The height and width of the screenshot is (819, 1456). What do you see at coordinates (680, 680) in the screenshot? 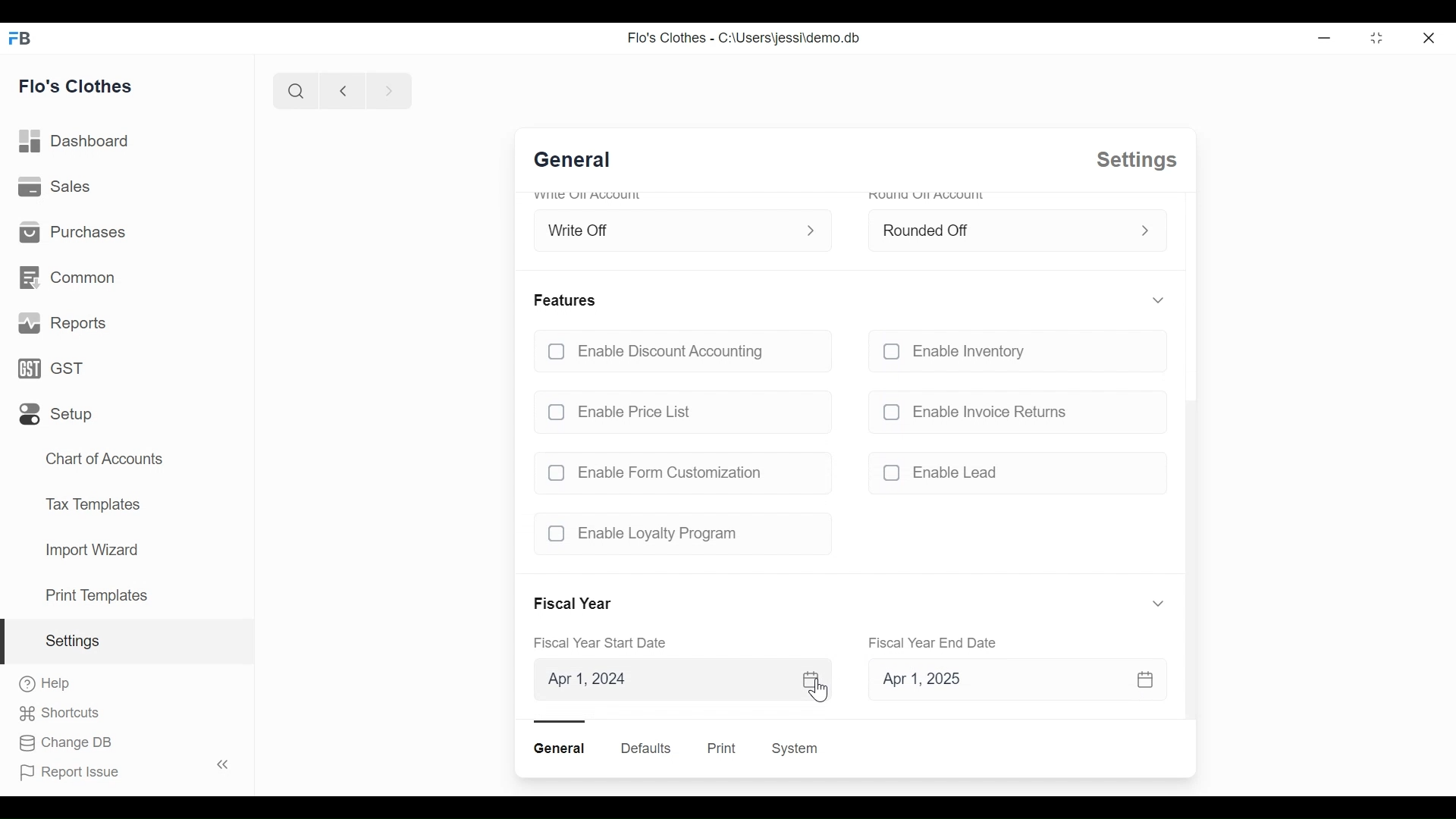
I see `Apr 1, 2024` at bounding box center [680, 680].